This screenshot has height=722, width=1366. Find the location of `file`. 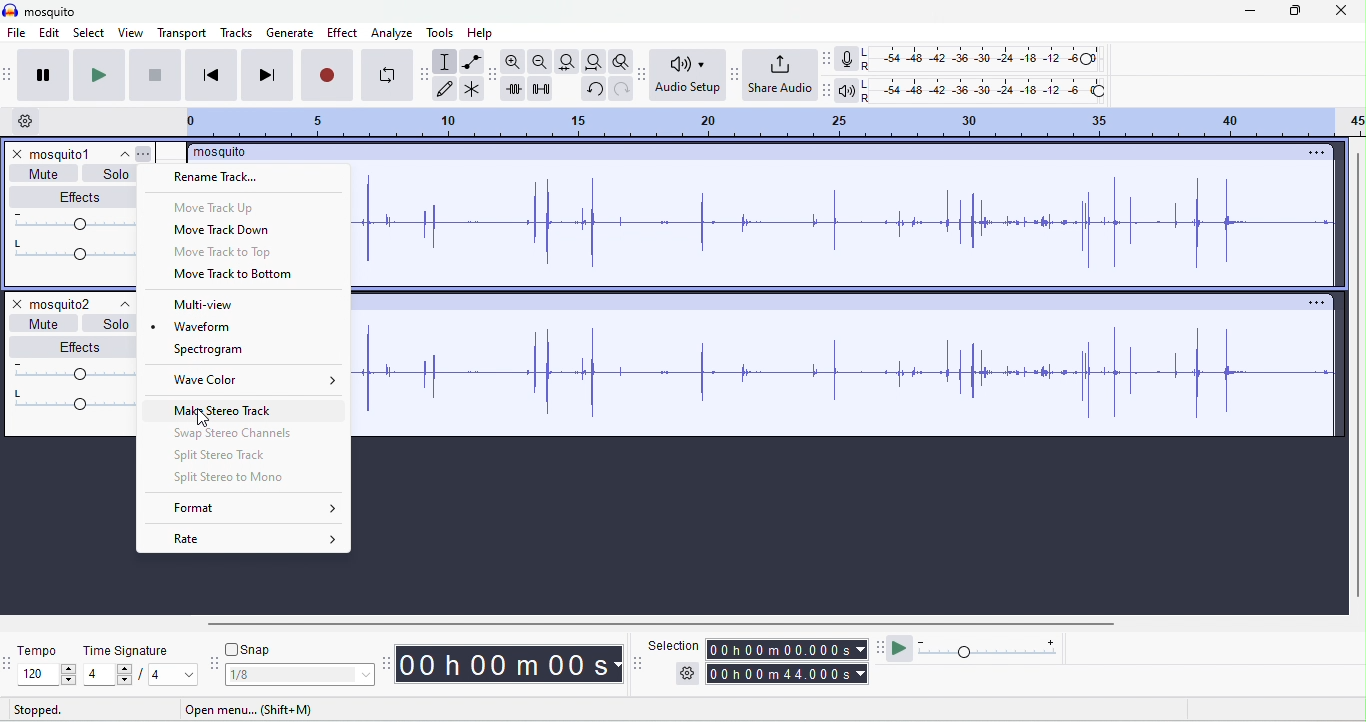

file is located at coordinates (16, 34).